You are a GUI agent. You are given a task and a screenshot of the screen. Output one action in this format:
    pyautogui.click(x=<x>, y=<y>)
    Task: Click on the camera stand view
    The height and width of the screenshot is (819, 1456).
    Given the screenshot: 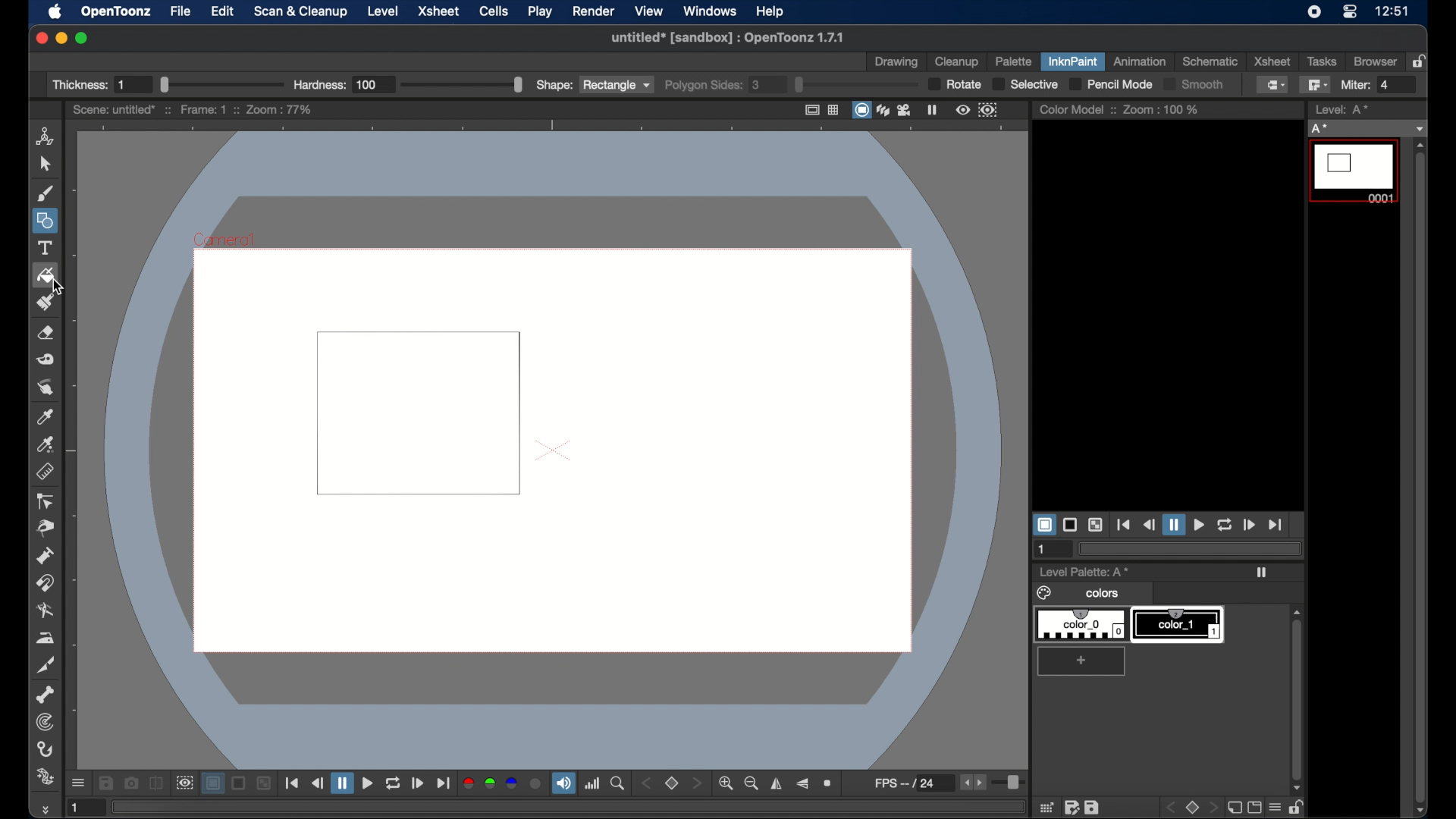 What is the action you would take?
    pyautogui.click(x=861, y=109)
    